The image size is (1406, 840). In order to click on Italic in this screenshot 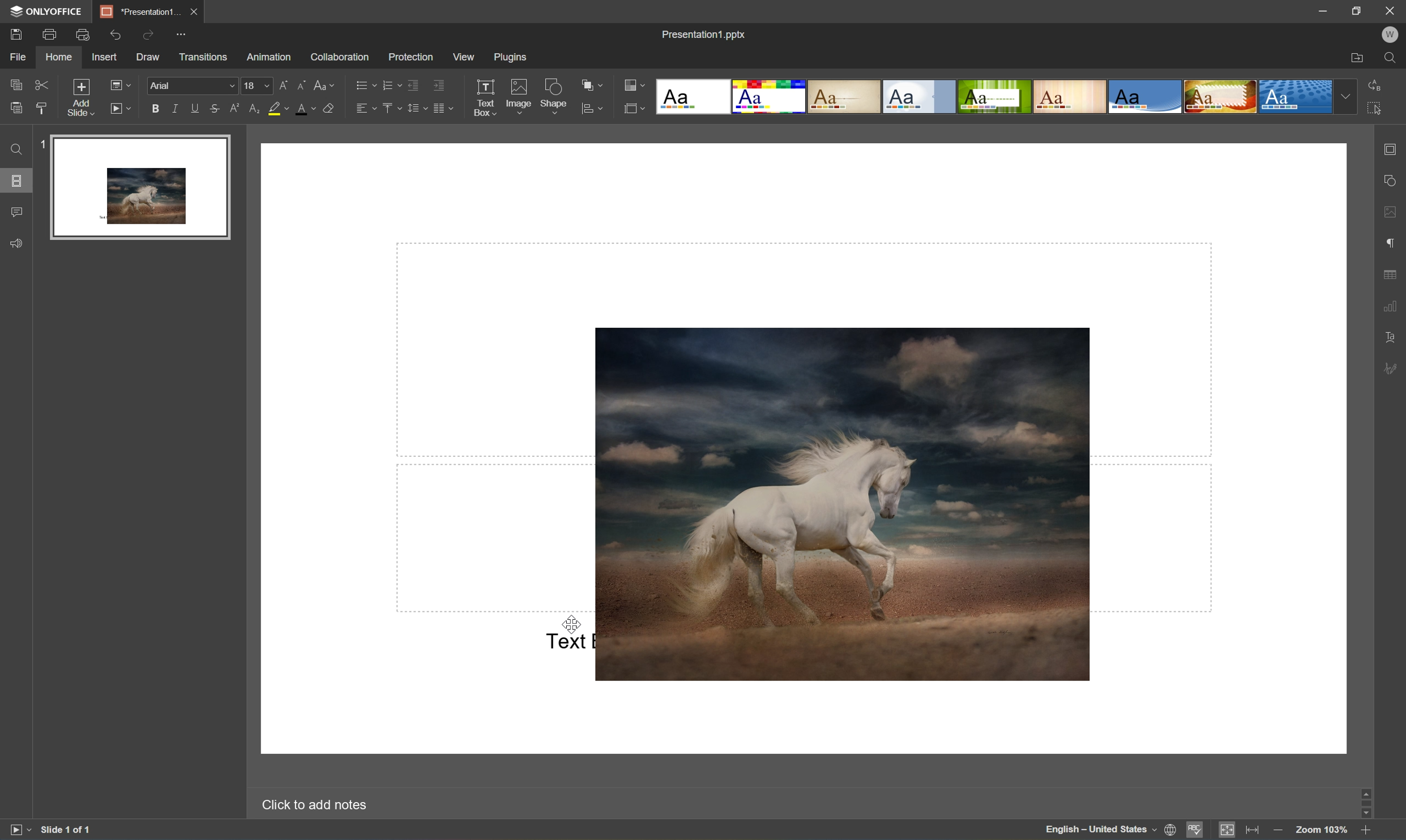, I will do `click(175, 109)`.